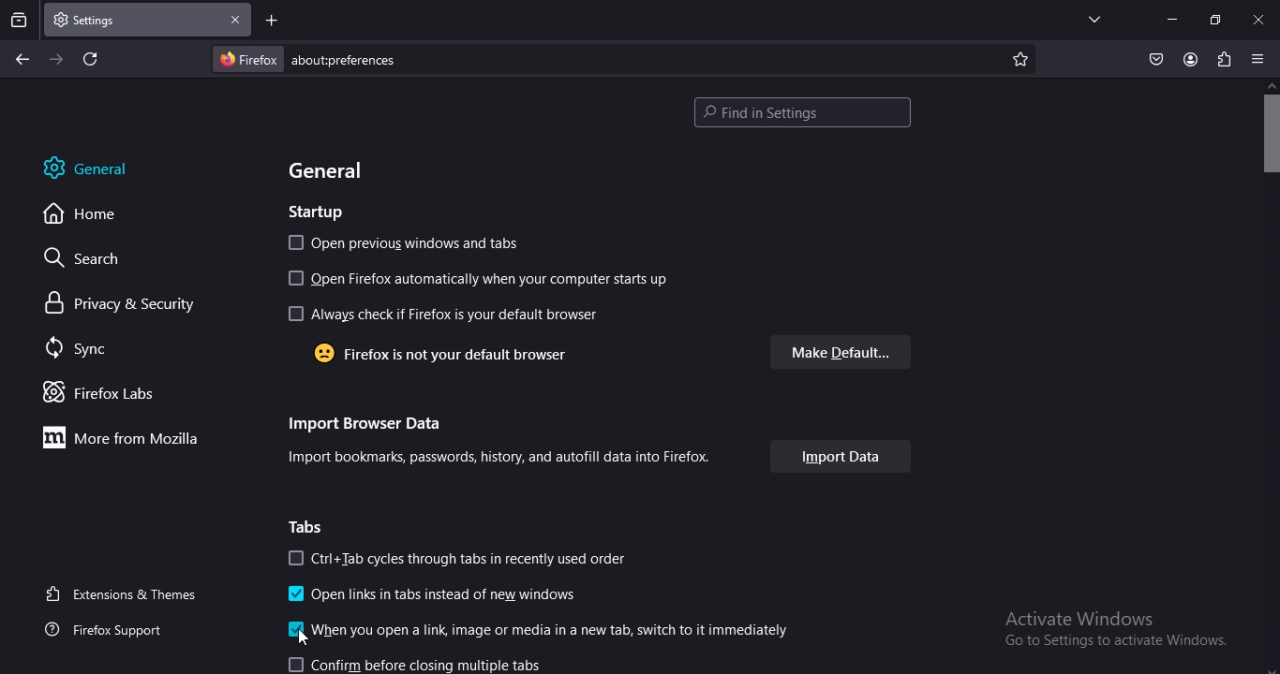 Image resolution: width=1280 pixels, height=674 pixels. What do you see at coordinates (1190, 60) in the screenshot?
I see `account` at bounding box center [1190, 60].